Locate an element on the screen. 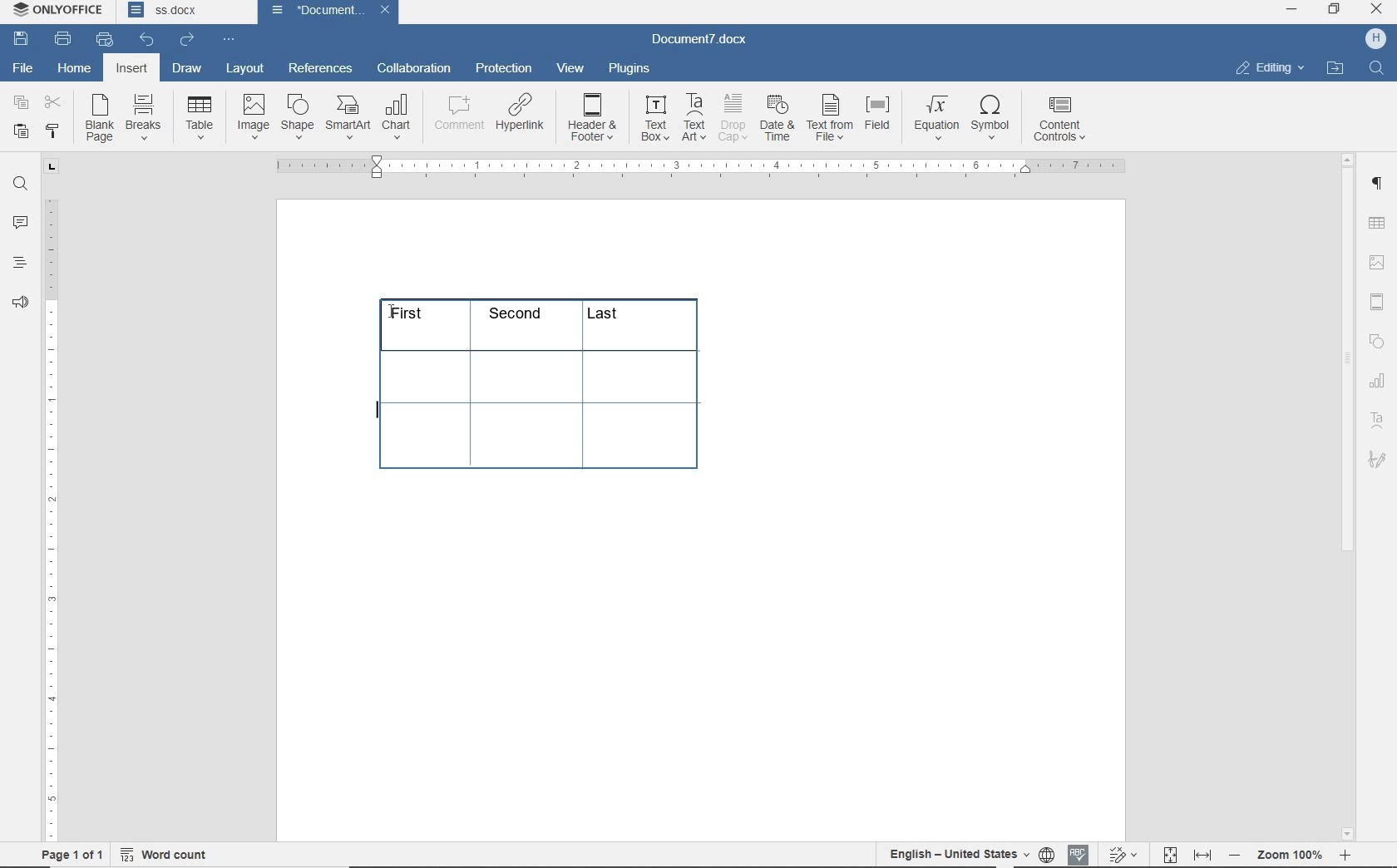 This screenshot has height=868, width=1397. fit to width is located at coordinates (1202, 852).